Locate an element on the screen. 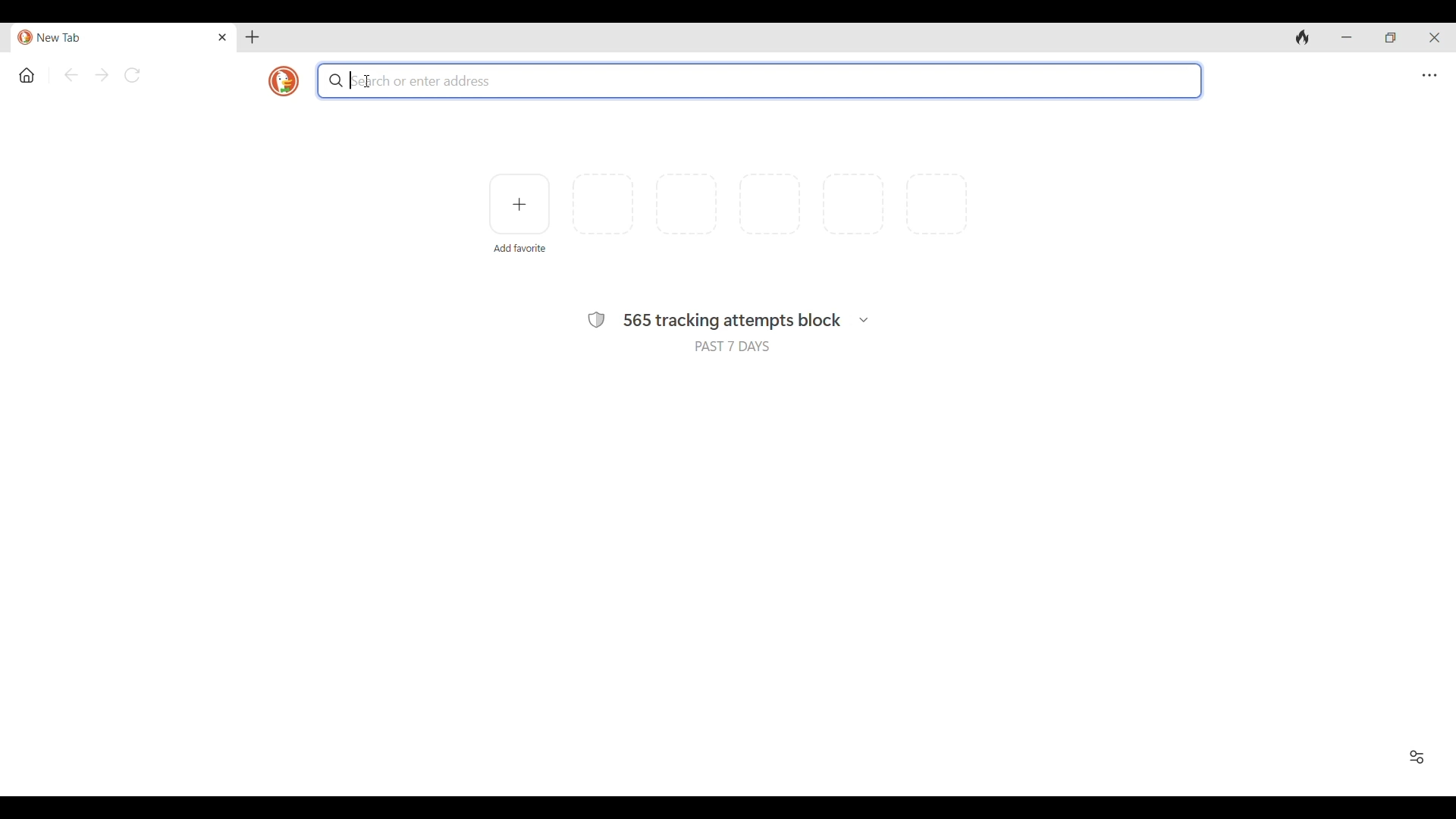 This screenshot has height=819, width=1456. Indicates space for more favorites is located at coordinates (770, 204).